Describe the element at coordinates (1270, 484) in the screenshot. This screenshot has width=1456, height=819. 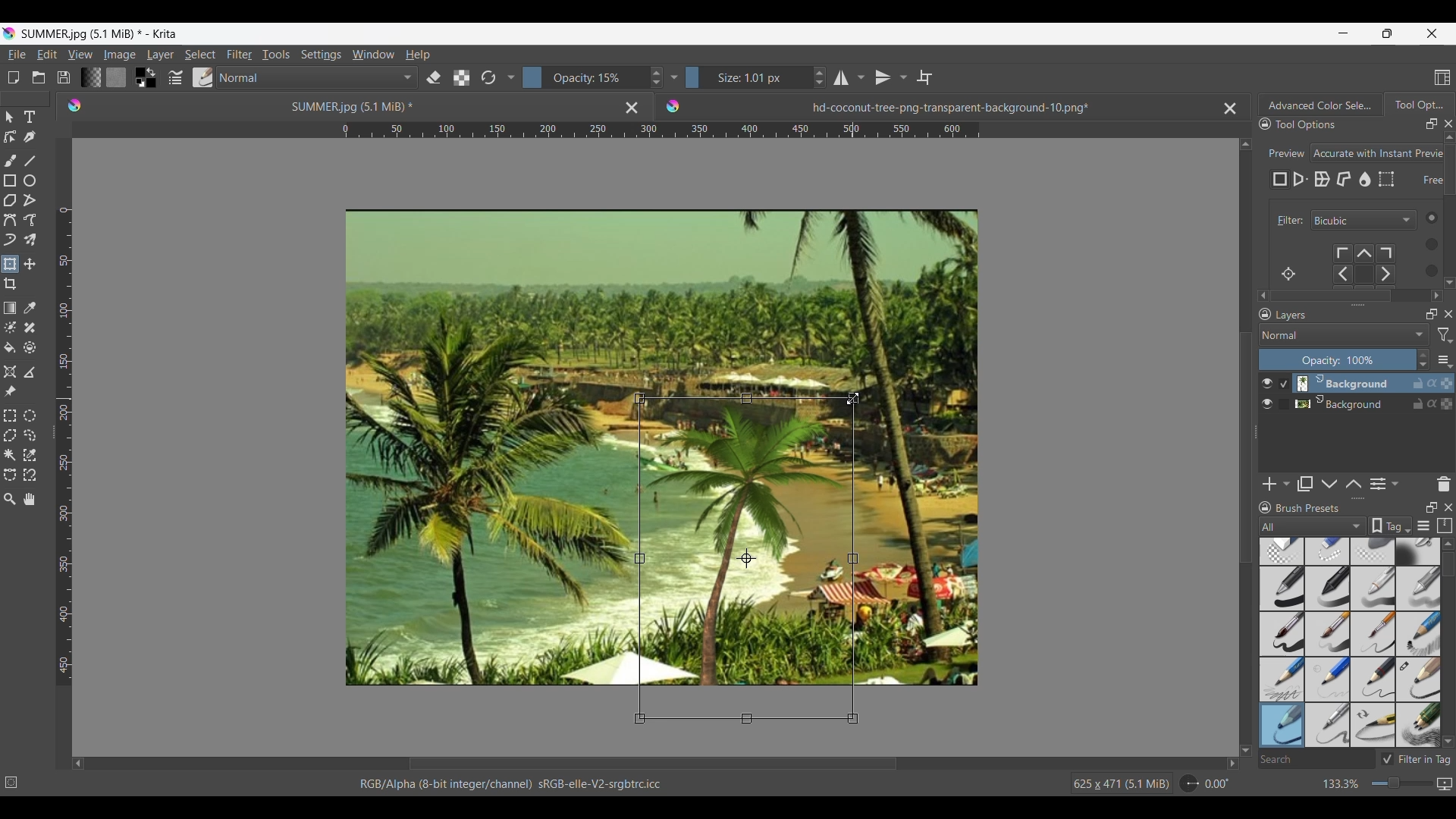
I see `Add new layer` at that location.